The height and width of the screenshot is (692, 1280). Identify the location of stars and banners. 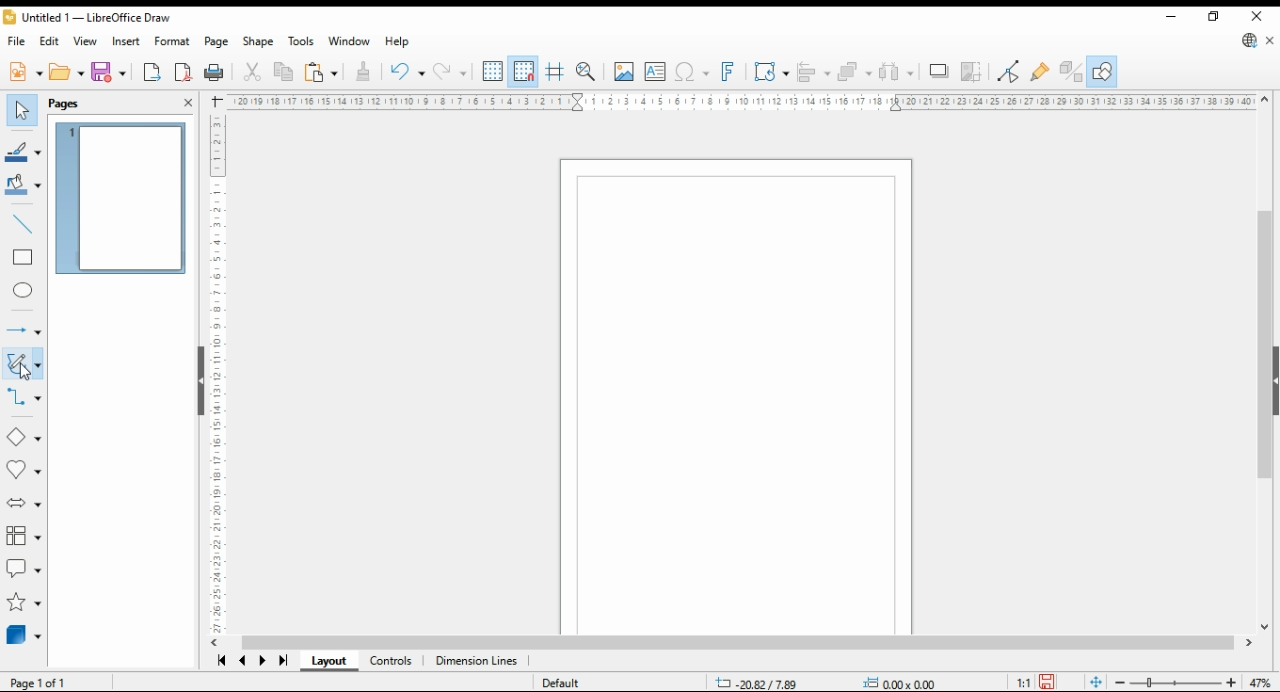
(24, 602).